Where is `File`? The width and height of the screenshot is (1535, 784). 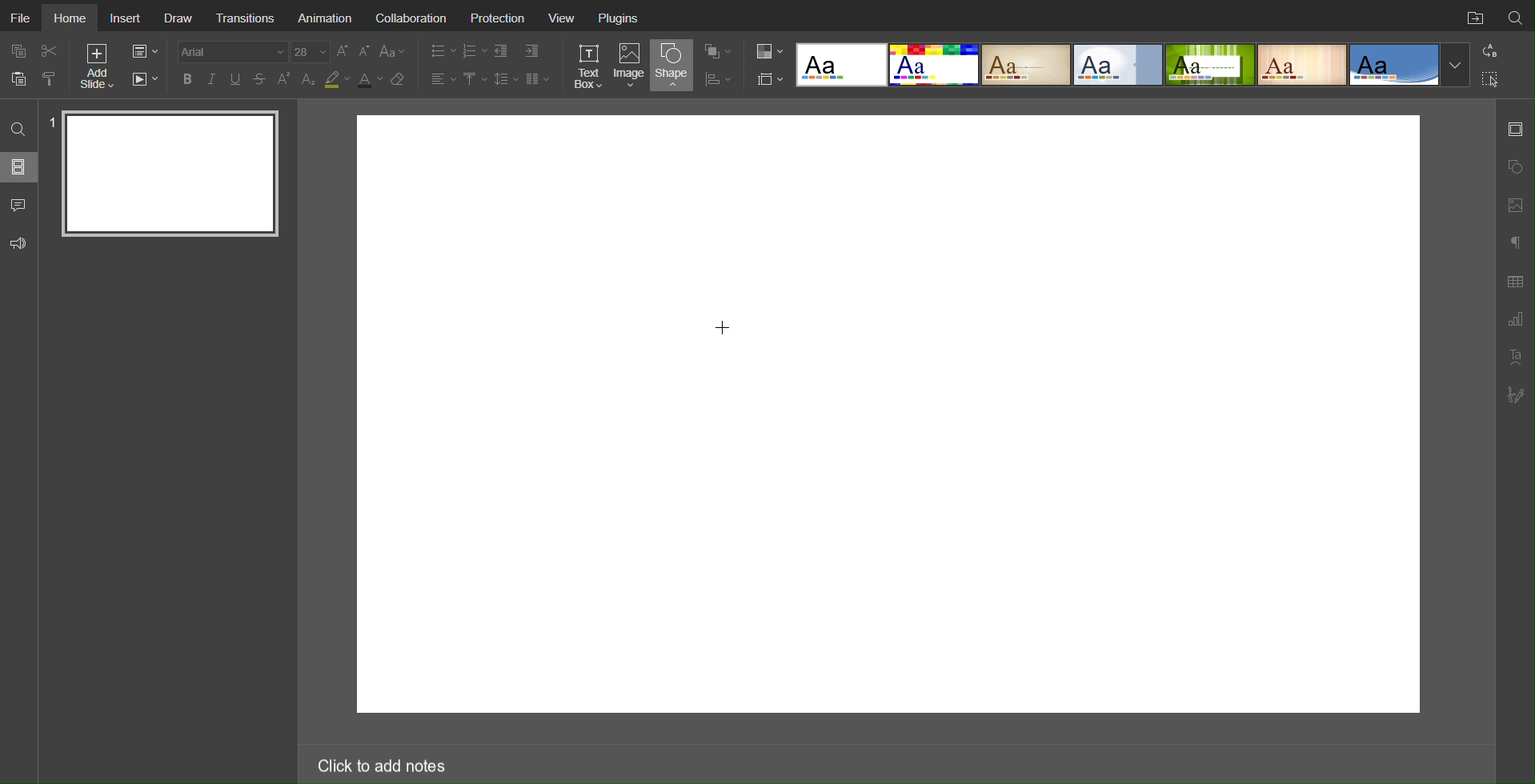
File is located at coordinates (23, 18).